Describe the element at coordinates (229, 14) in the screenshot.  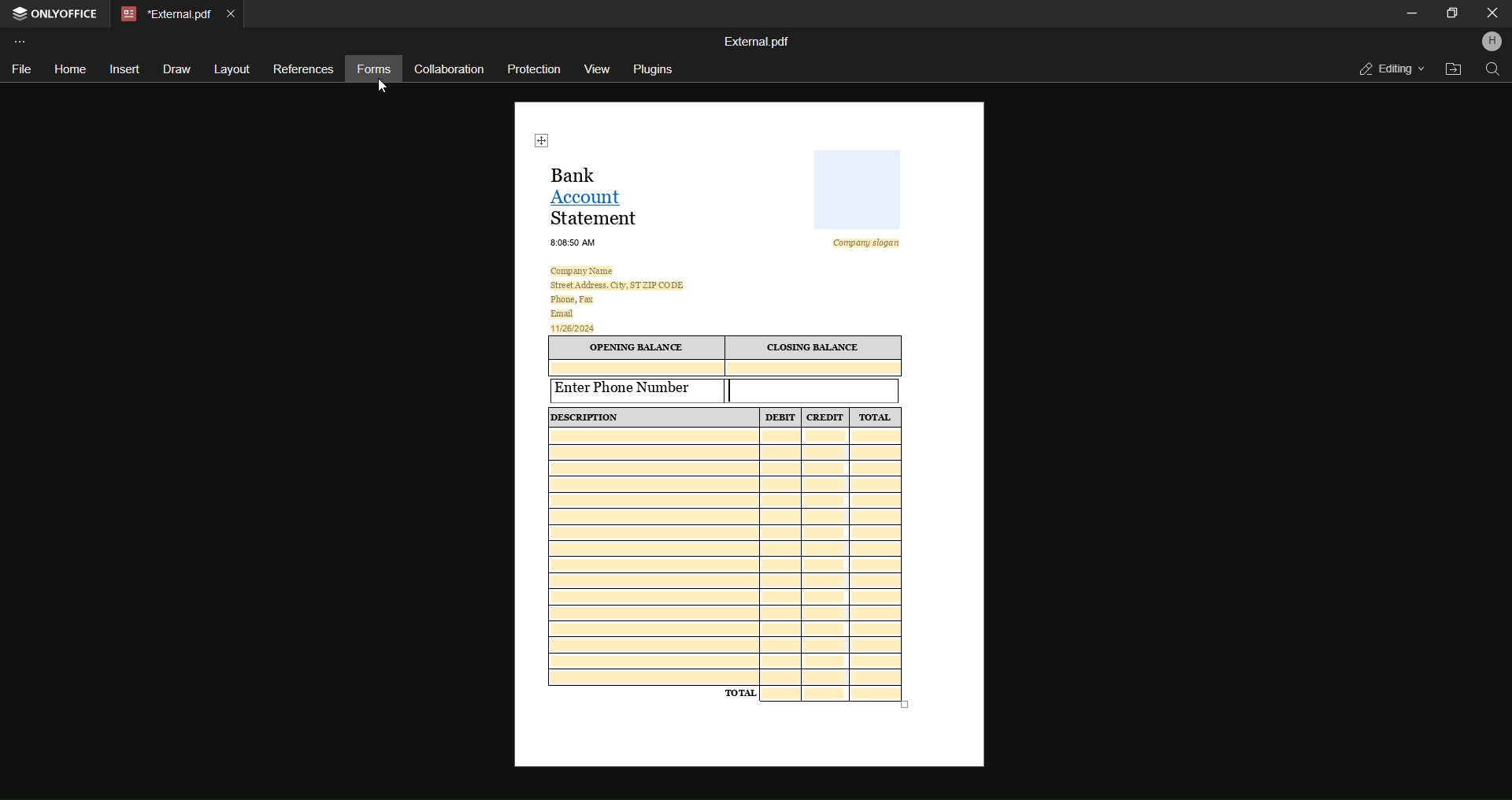
I see `close tab` at that location.